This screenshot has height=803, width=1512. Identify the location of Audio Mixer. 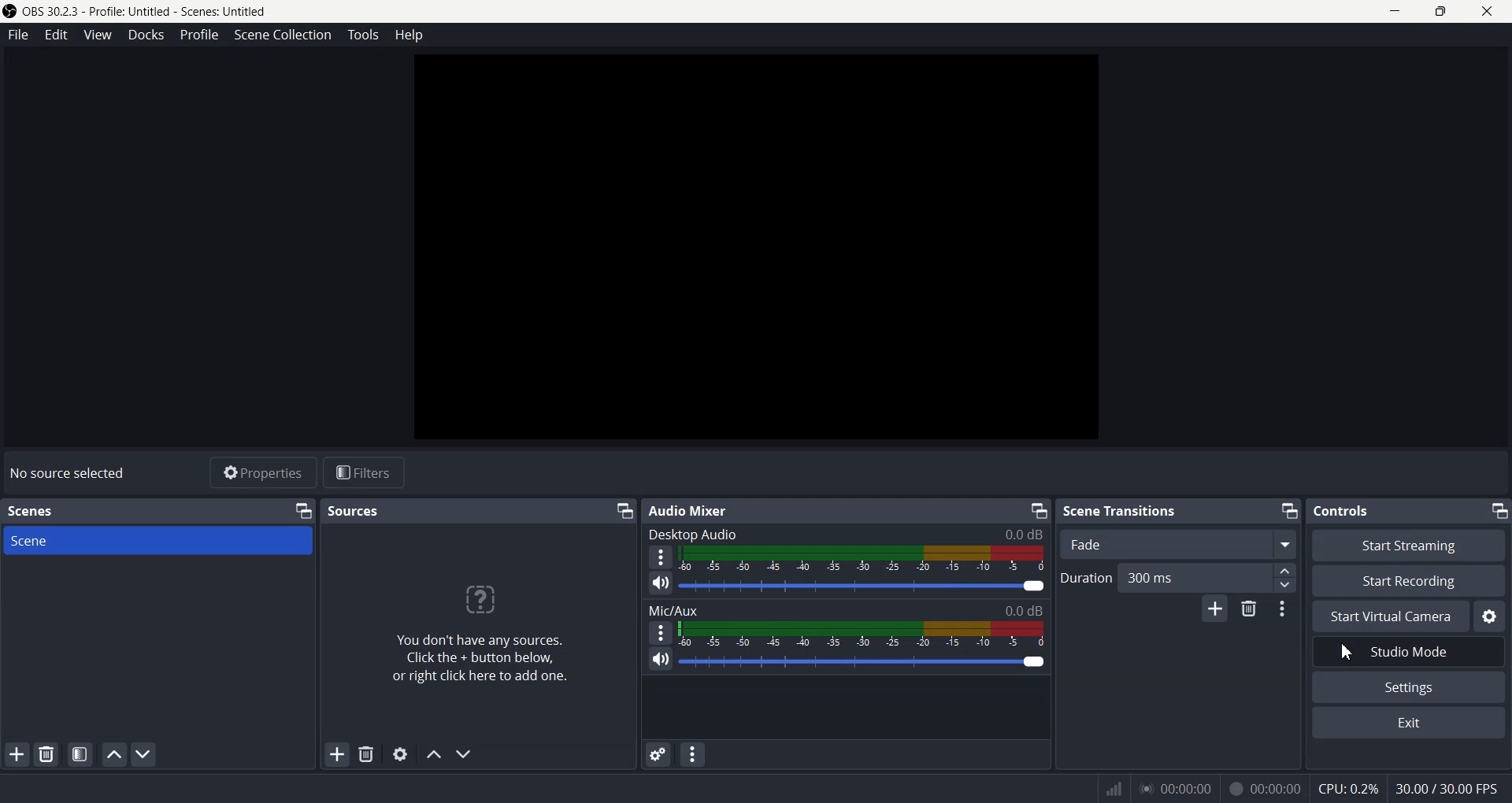
(699, 510).